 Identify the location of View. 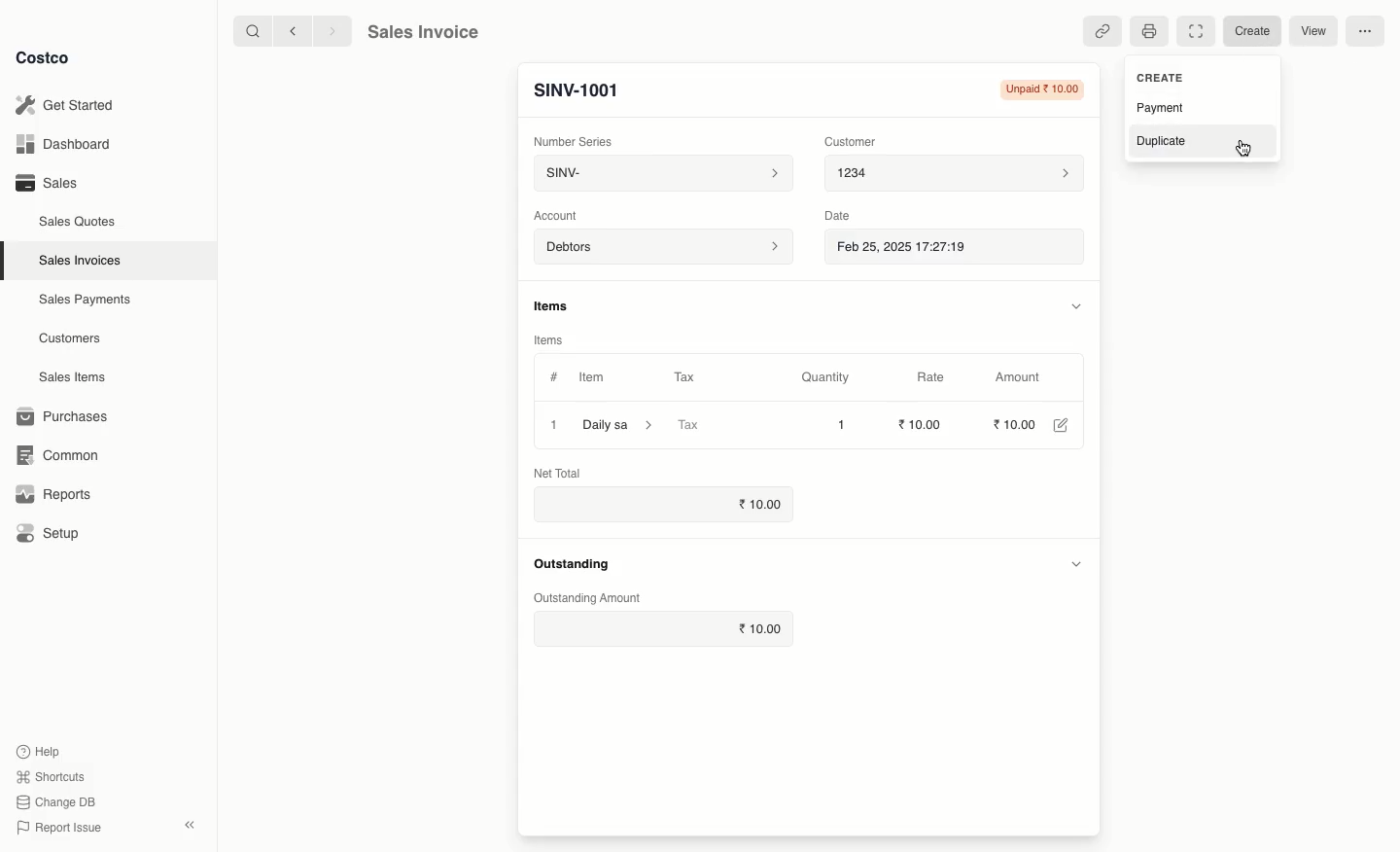
(1319, 30).